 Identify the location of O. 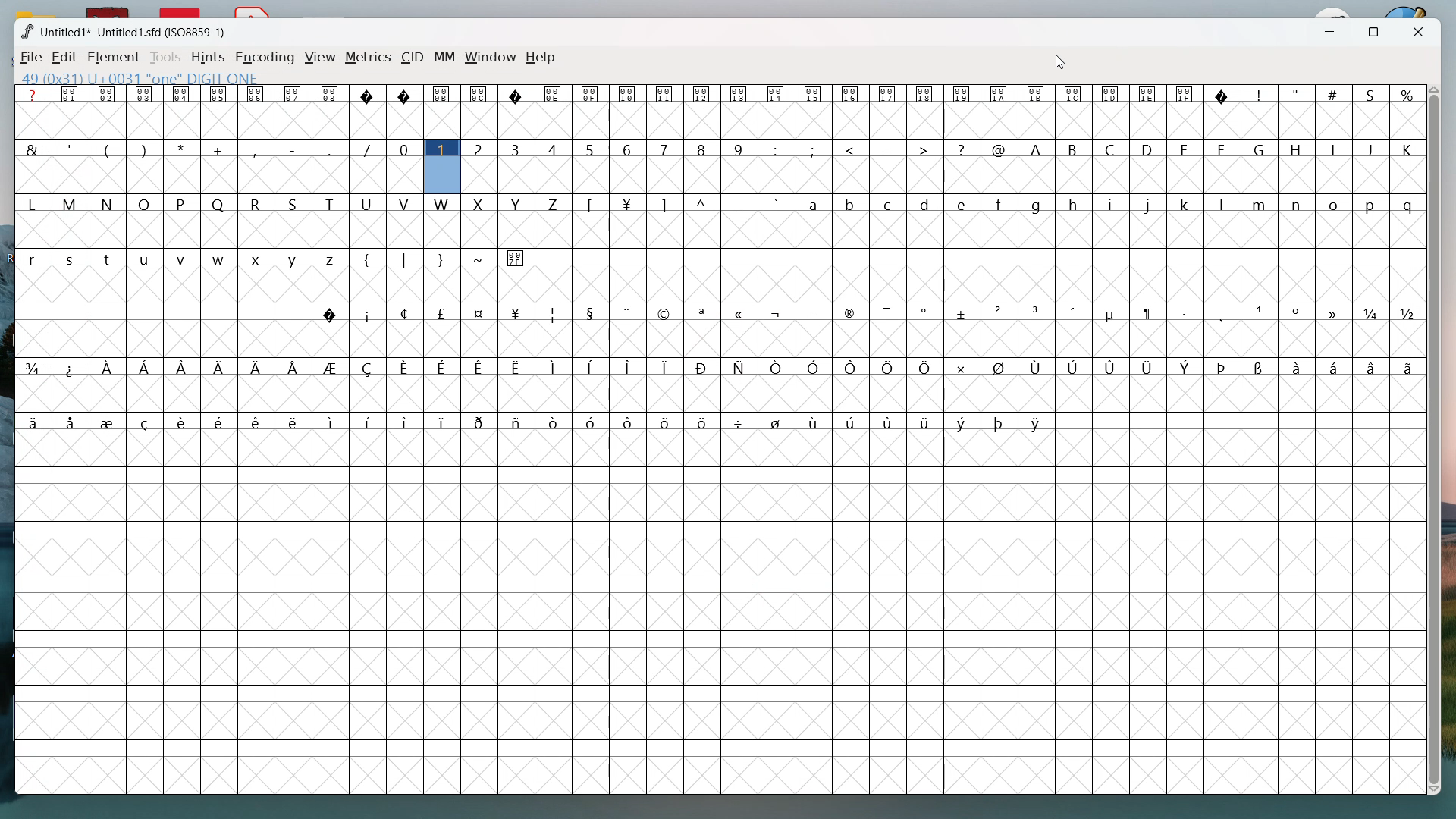
(144, 202).